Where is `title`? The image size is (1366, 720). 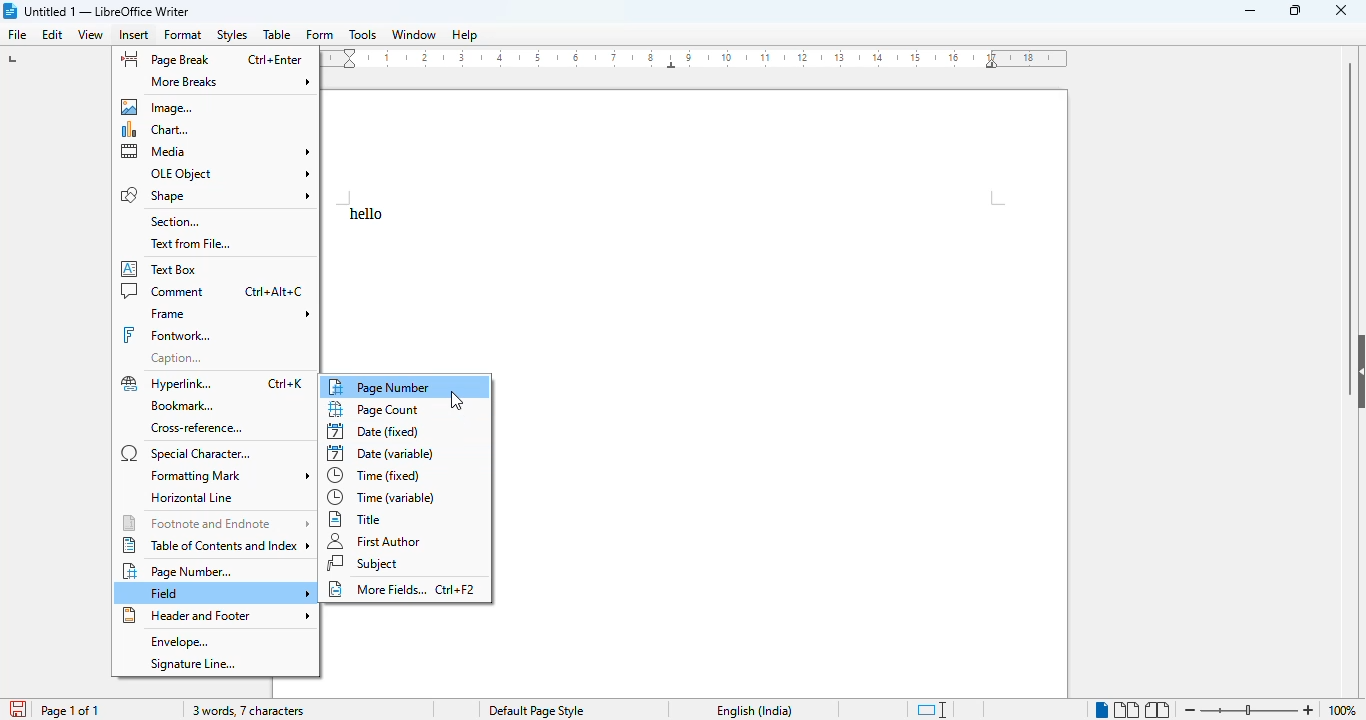
title is located at coordinates (357, 519).